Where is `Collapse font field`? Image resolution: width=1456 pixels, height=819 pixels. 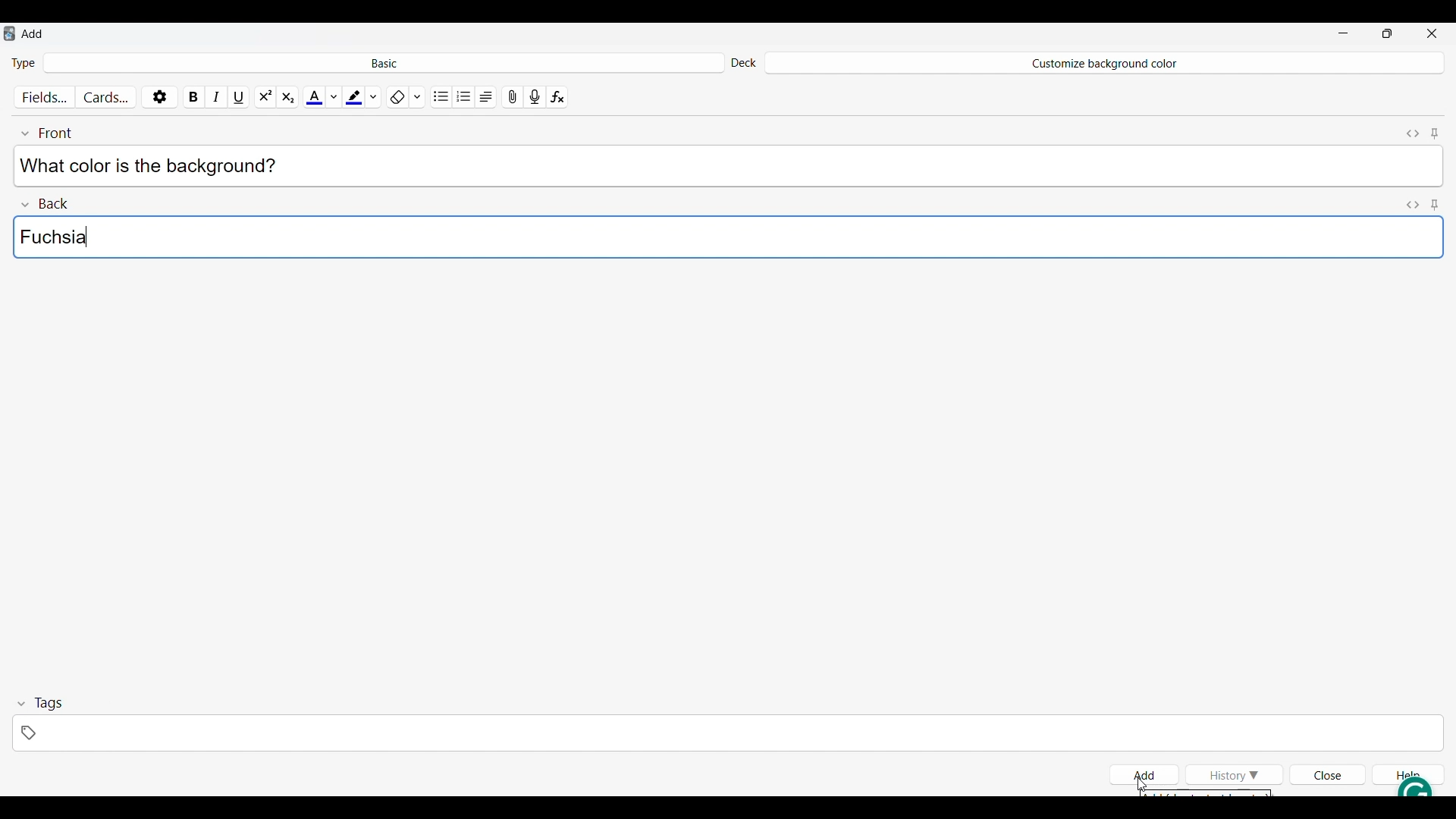 Collapse font field is located at coordinates (46, 131).